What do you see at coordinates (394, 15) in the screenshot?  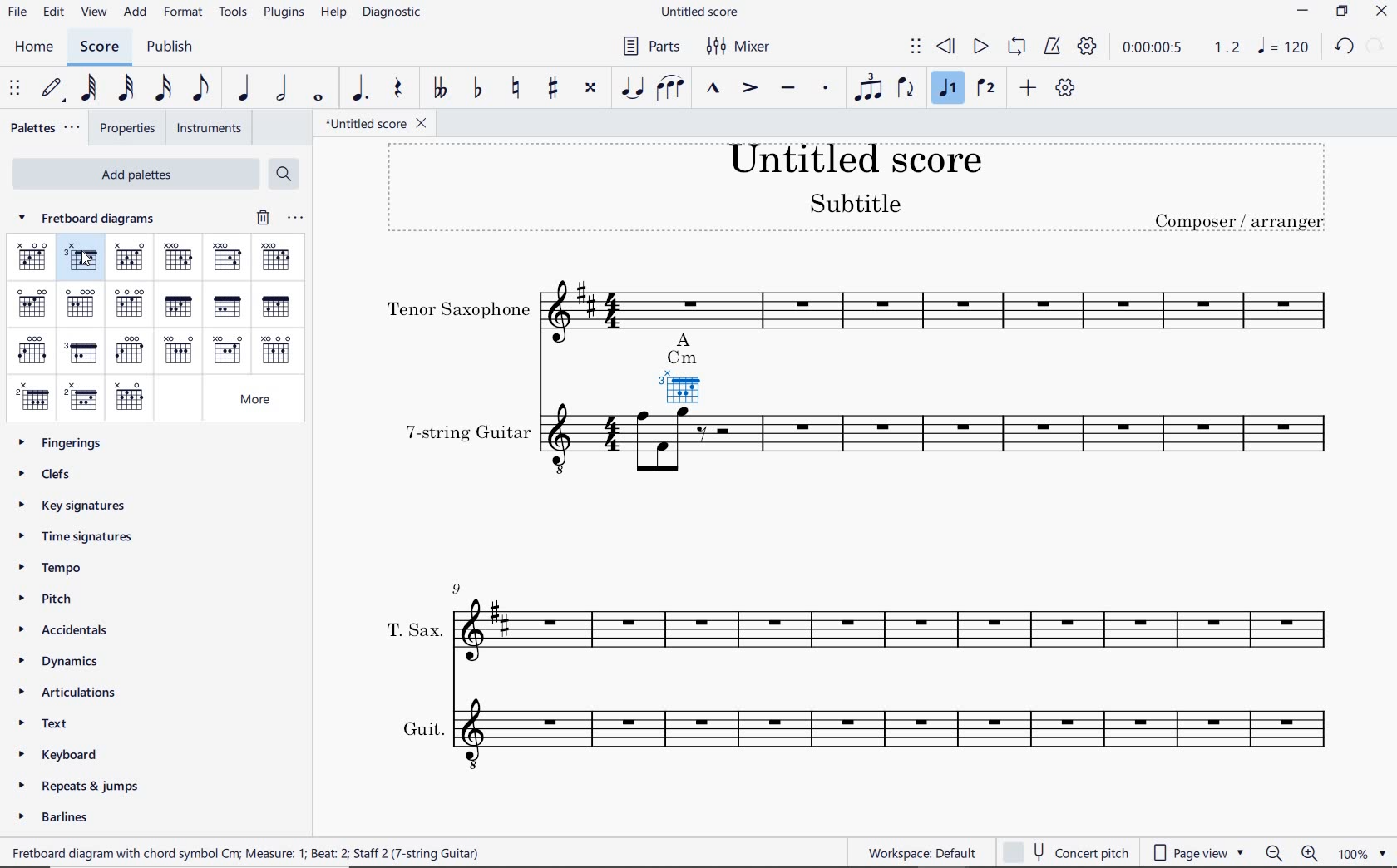 I see `DIAGNOSTIC` at bounding box center [394, 15].